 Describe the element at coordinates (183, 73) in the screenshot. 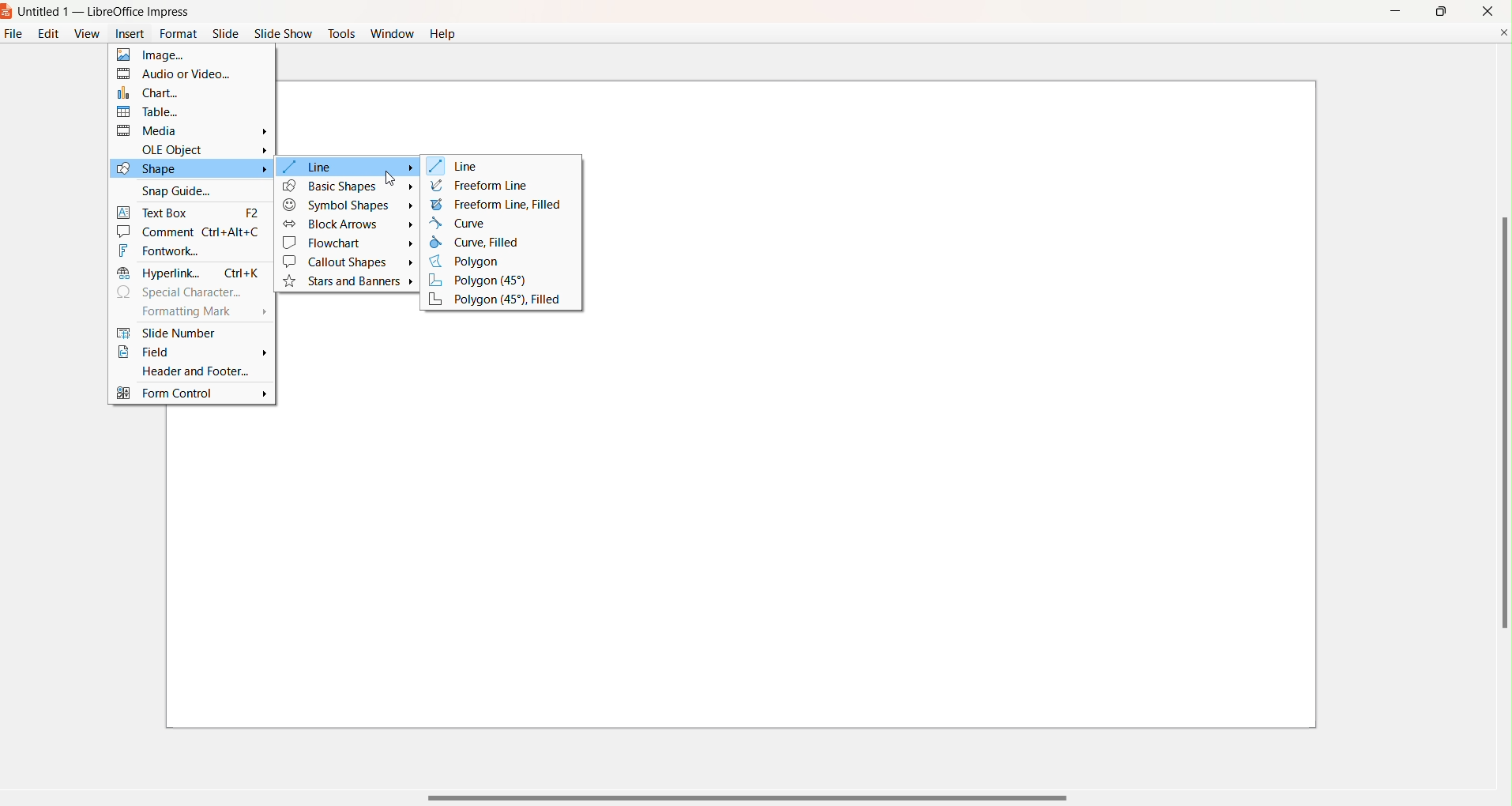

I see `Audio or Video` at that location.